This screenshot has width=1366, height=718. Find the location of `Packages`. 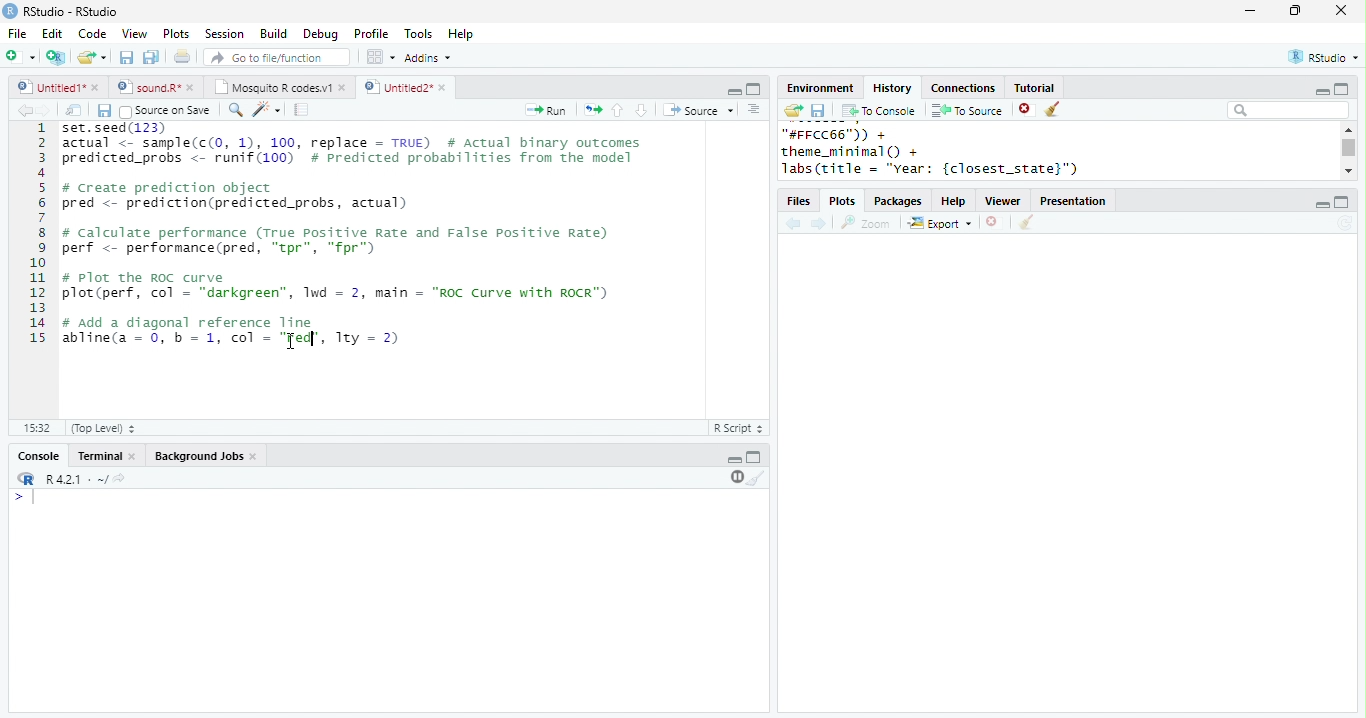

Packages is located at coordinates (898, 202).